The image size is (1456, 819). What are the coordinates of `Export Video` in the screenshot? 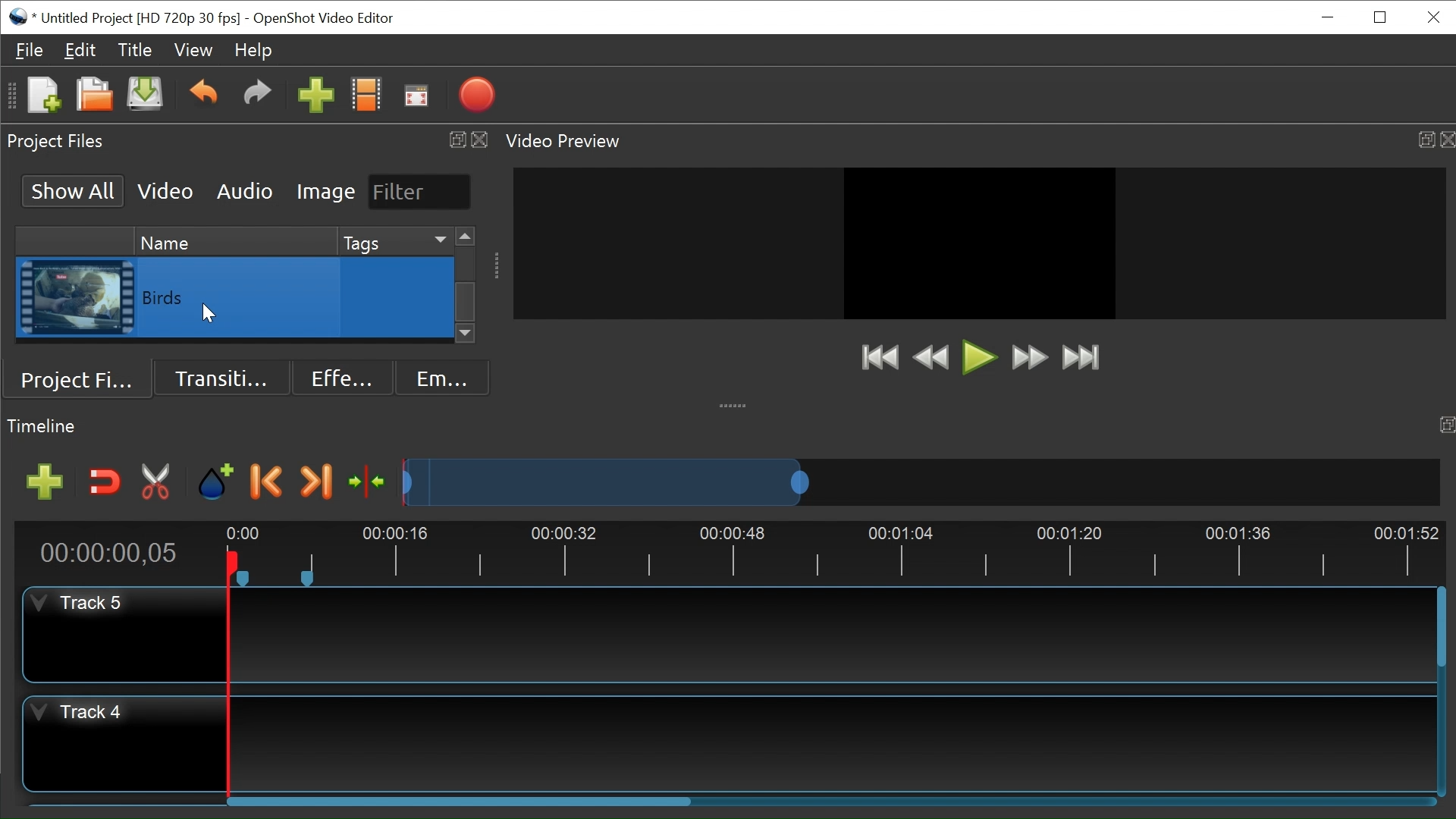 It's located at (476, 96).